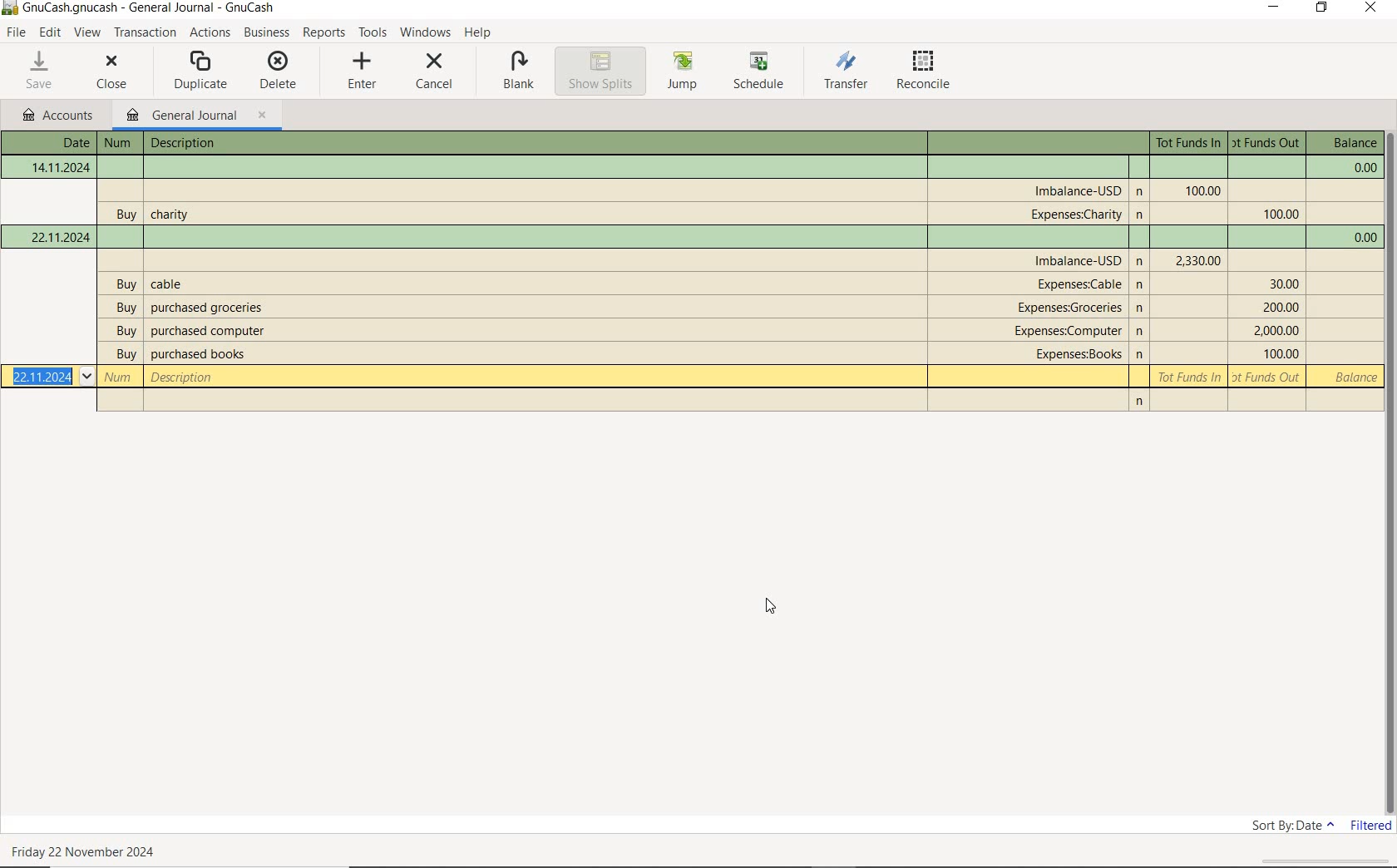 The image size is (1397, 868). Describe the element at coordinates (1075, 355) in the screenshot. I see `account` at that location.